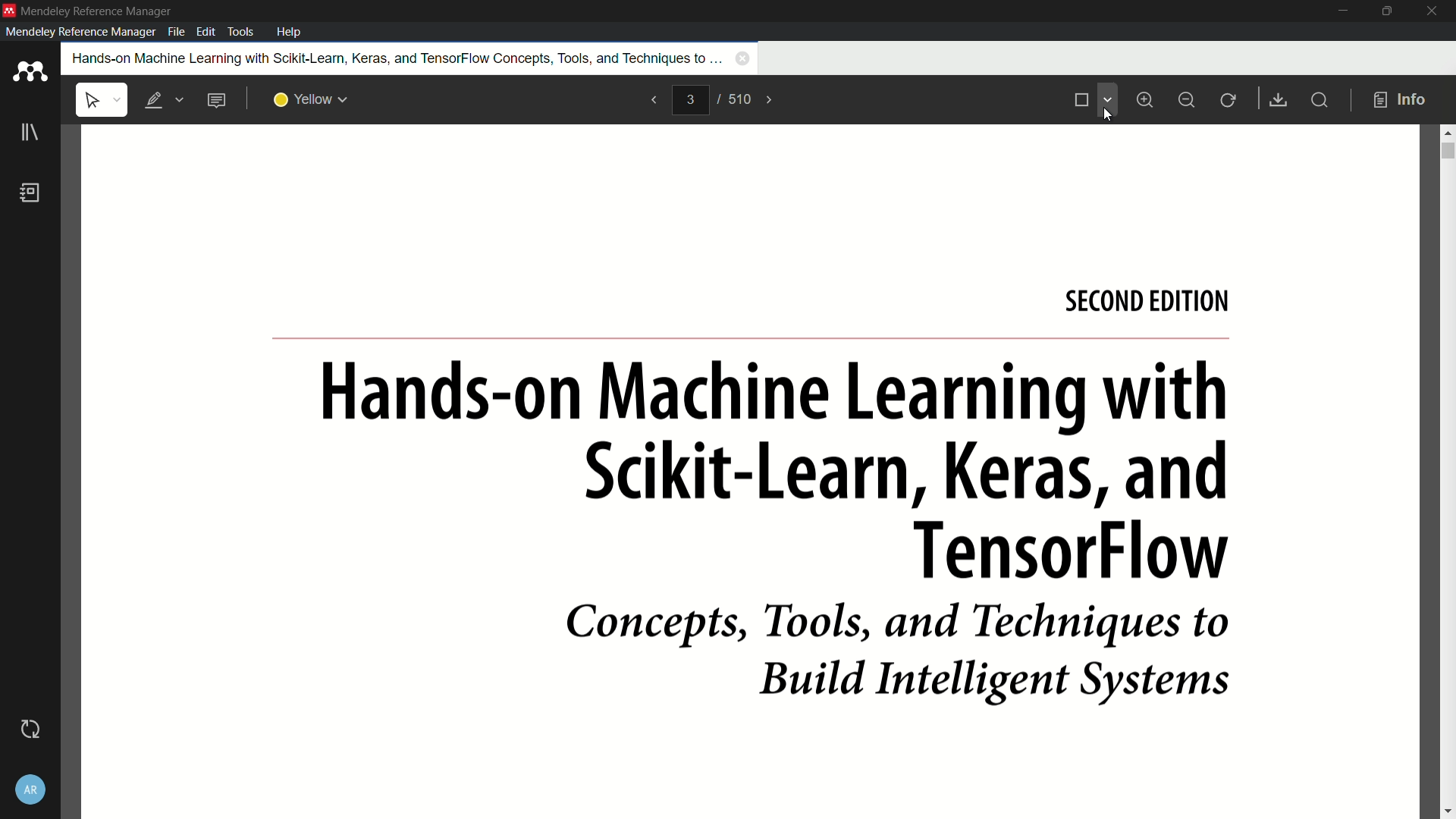 The image size is (1456, 819). Describe the element at coordinates (216, 100) in the screenshot. I see `add note` at that location.